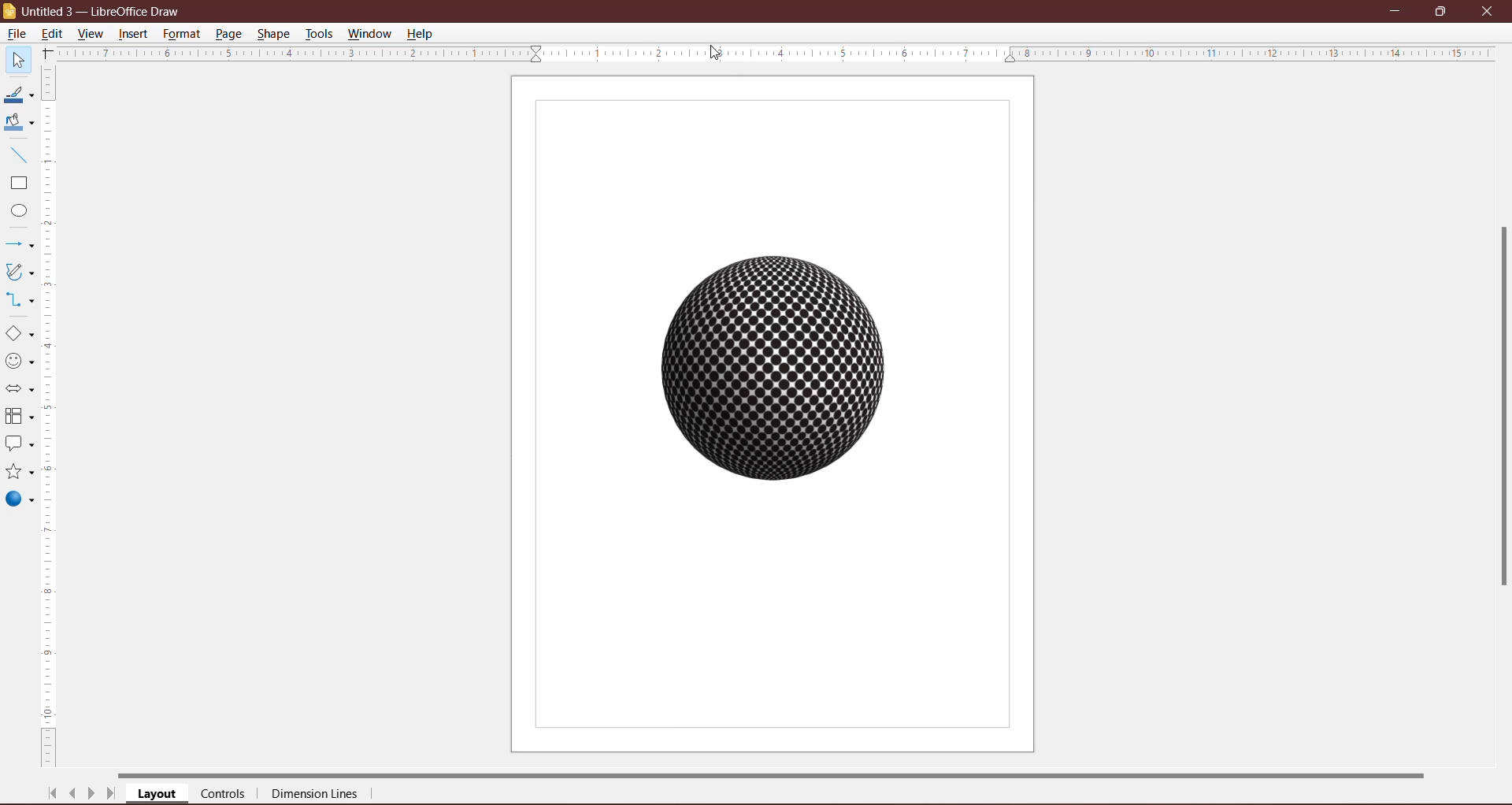 Image resolution: width=1512 pixels, height=805 pixels. What do you see at coordinates (1396, 9) in the screenshot?
I see `Minimize` at bounding box center [1396, 9].